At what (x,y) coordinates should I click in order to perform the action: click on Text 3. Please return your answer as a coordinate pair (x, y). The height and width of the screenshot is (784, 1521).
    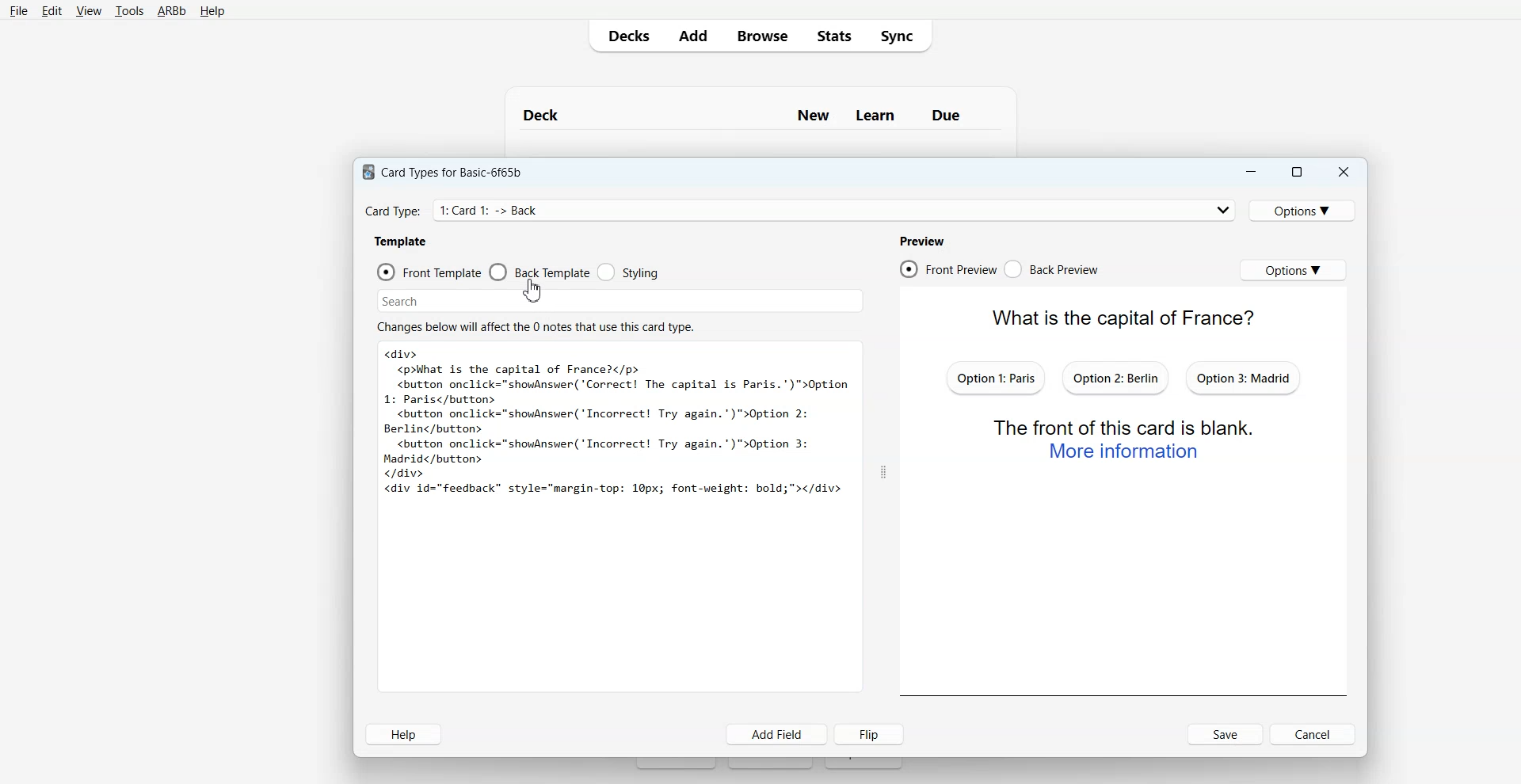
    Looking at the image, I should click on (1127, 439).